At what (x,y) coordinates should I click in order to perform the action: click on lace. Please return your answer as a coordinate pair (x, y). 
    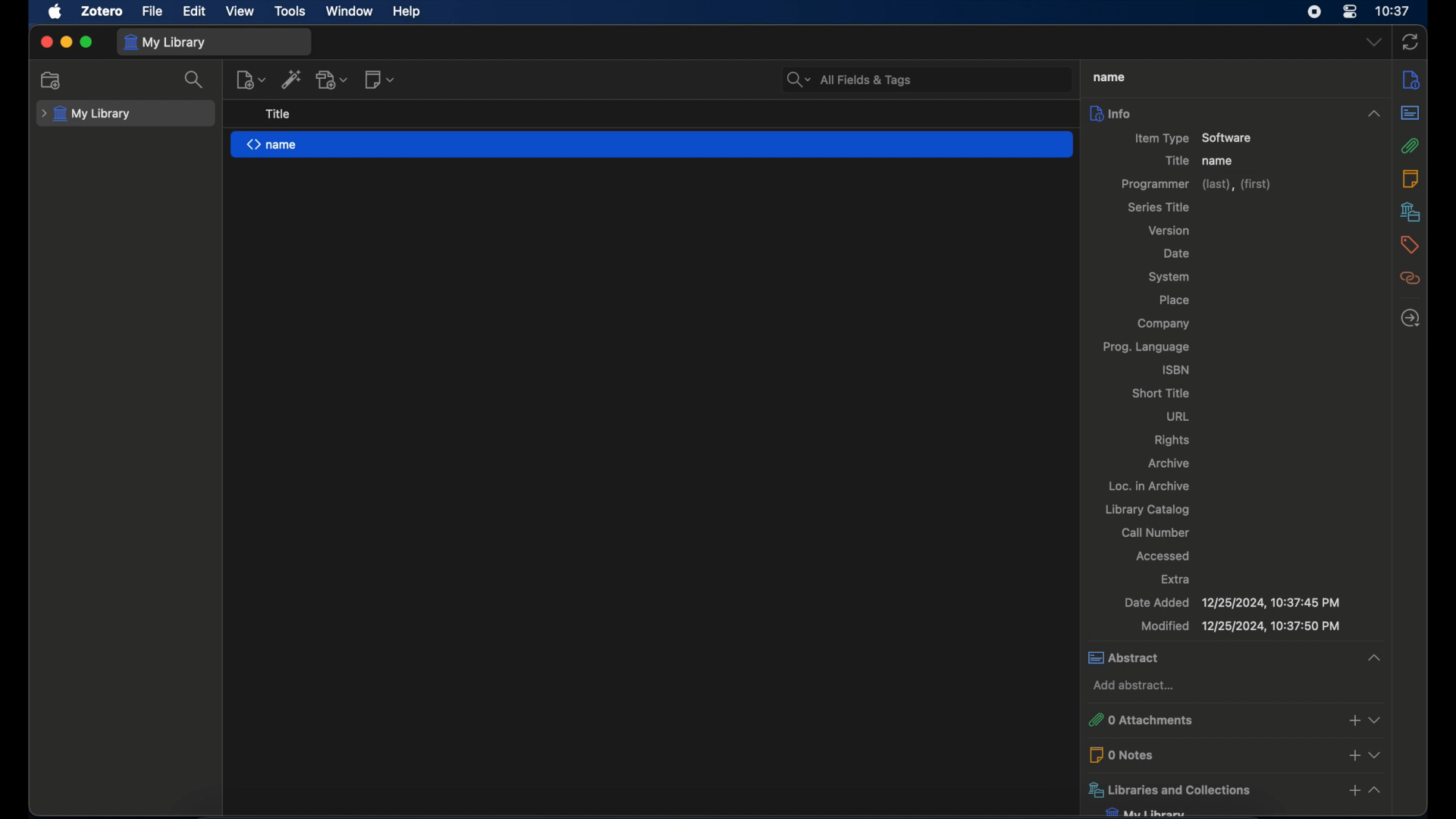
    Looking at the image, I should click on (1174, 300).